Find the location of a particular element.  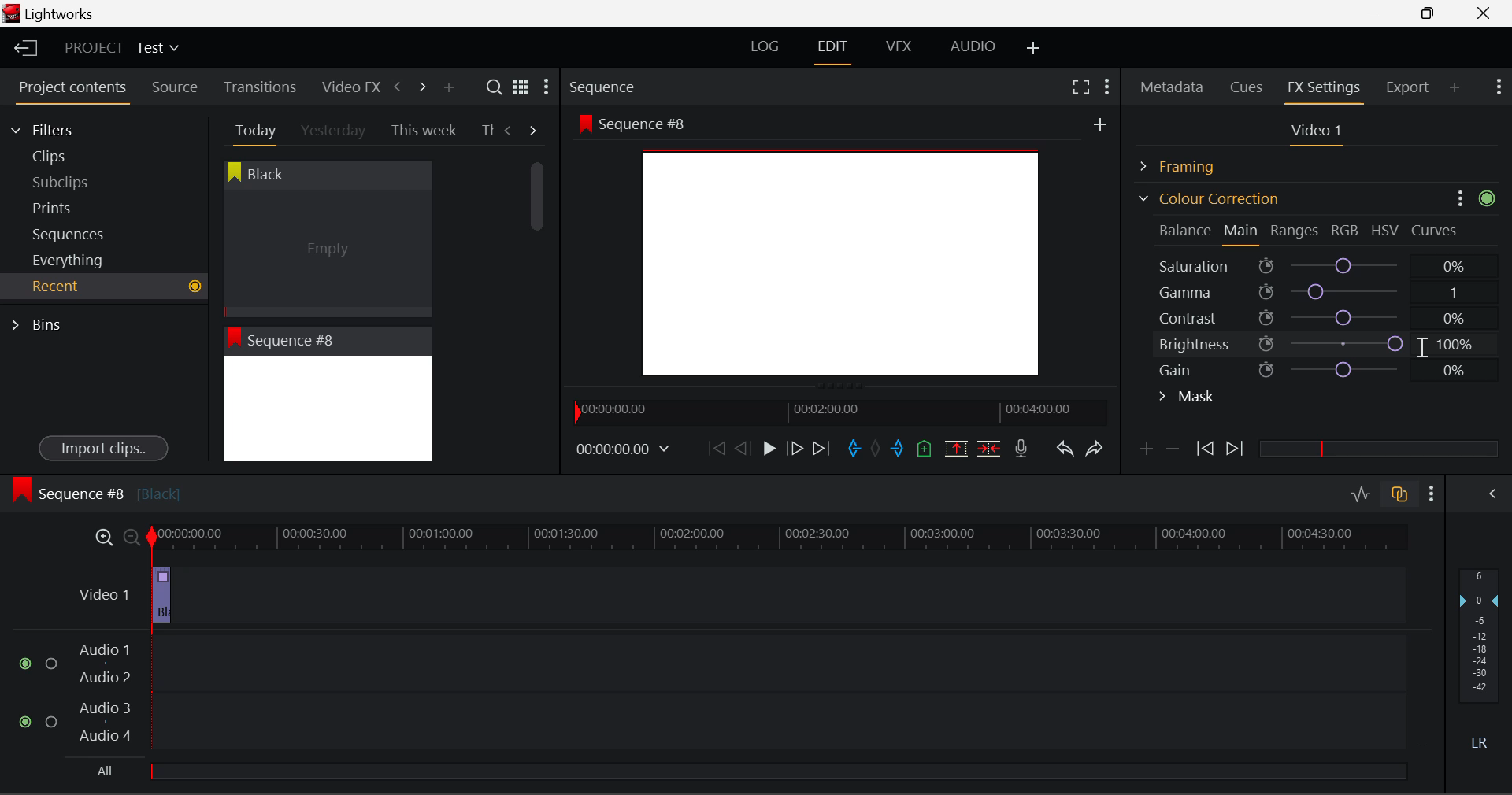

Mask is located at coordinates (1188, 398).